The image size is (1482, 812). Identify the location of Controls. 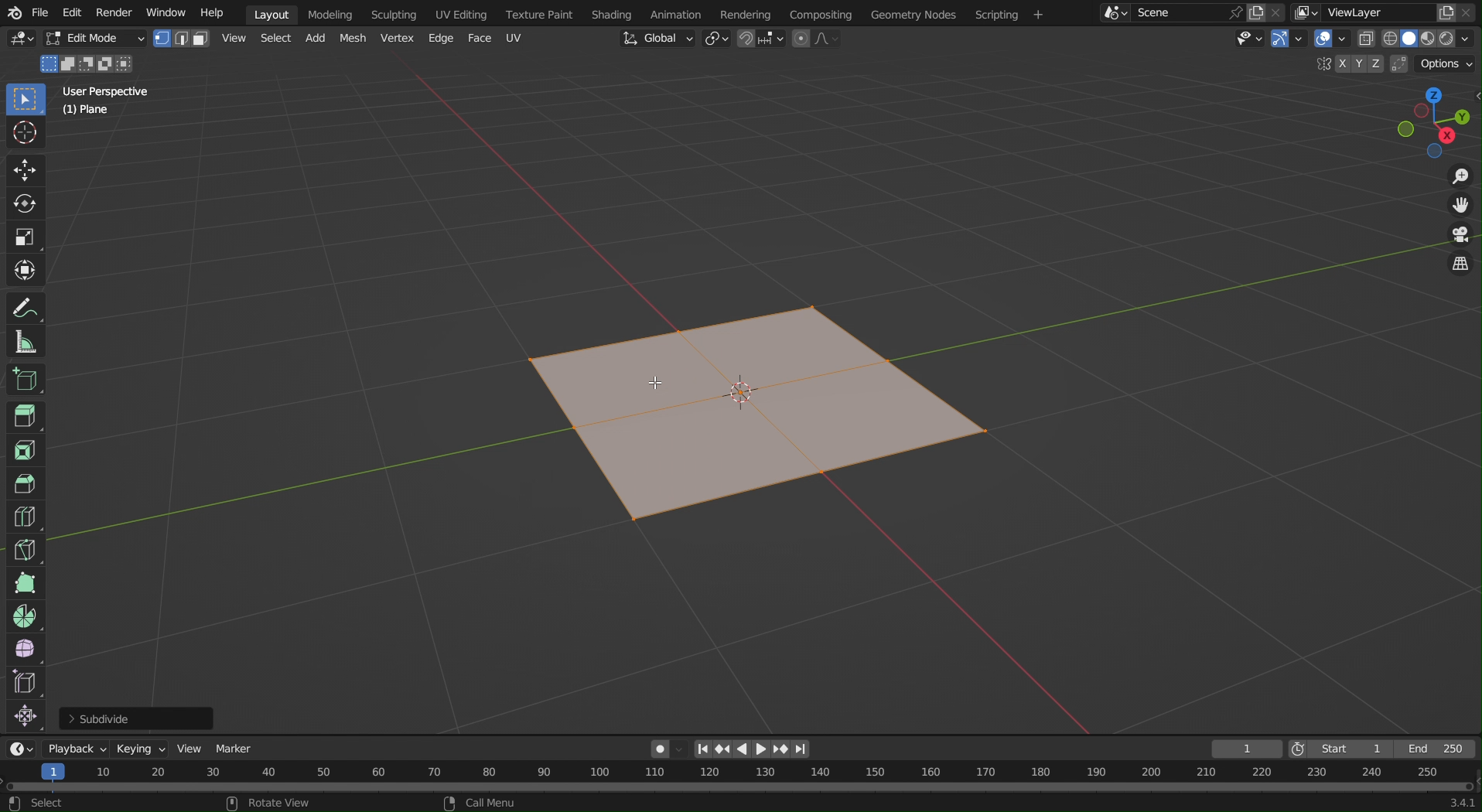
(752, 749).